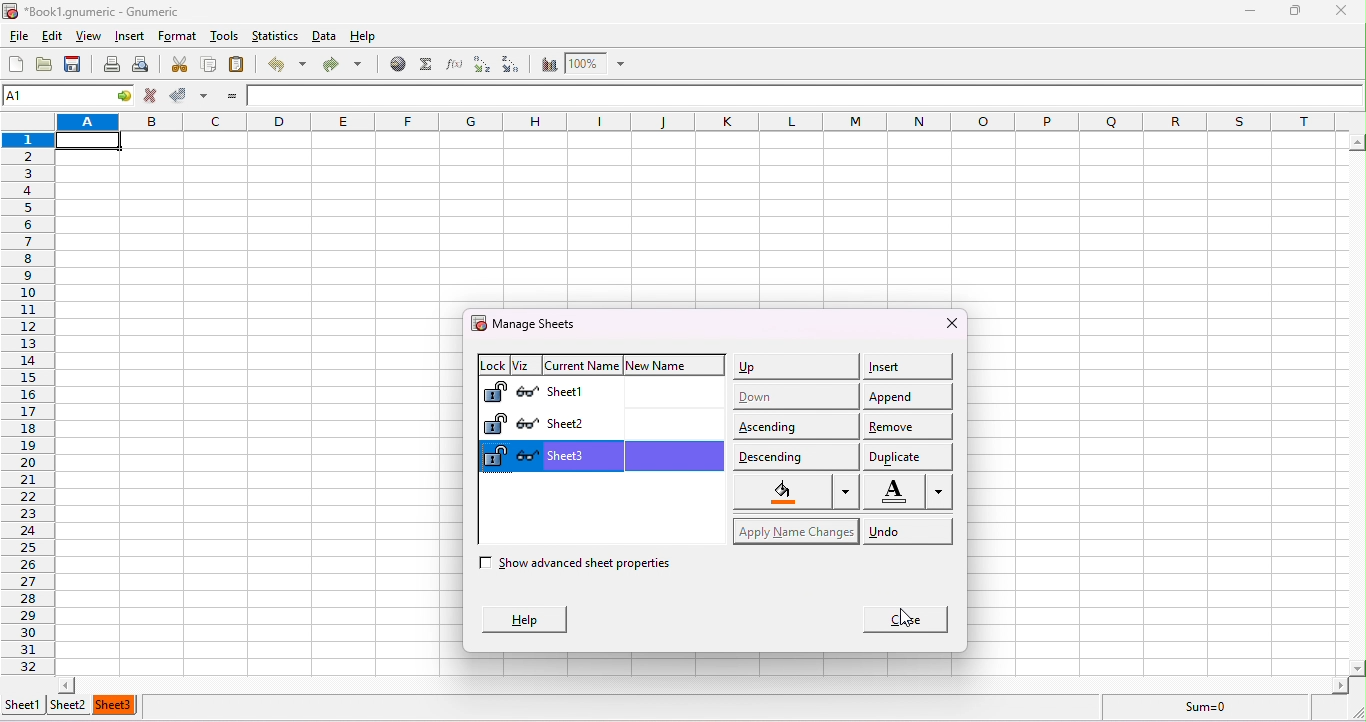 Image resolution: width=1366 pixels, height=722 pixels. Describe the element at coordinates (47, 36) in the screenshot. I see `edit` at that location.